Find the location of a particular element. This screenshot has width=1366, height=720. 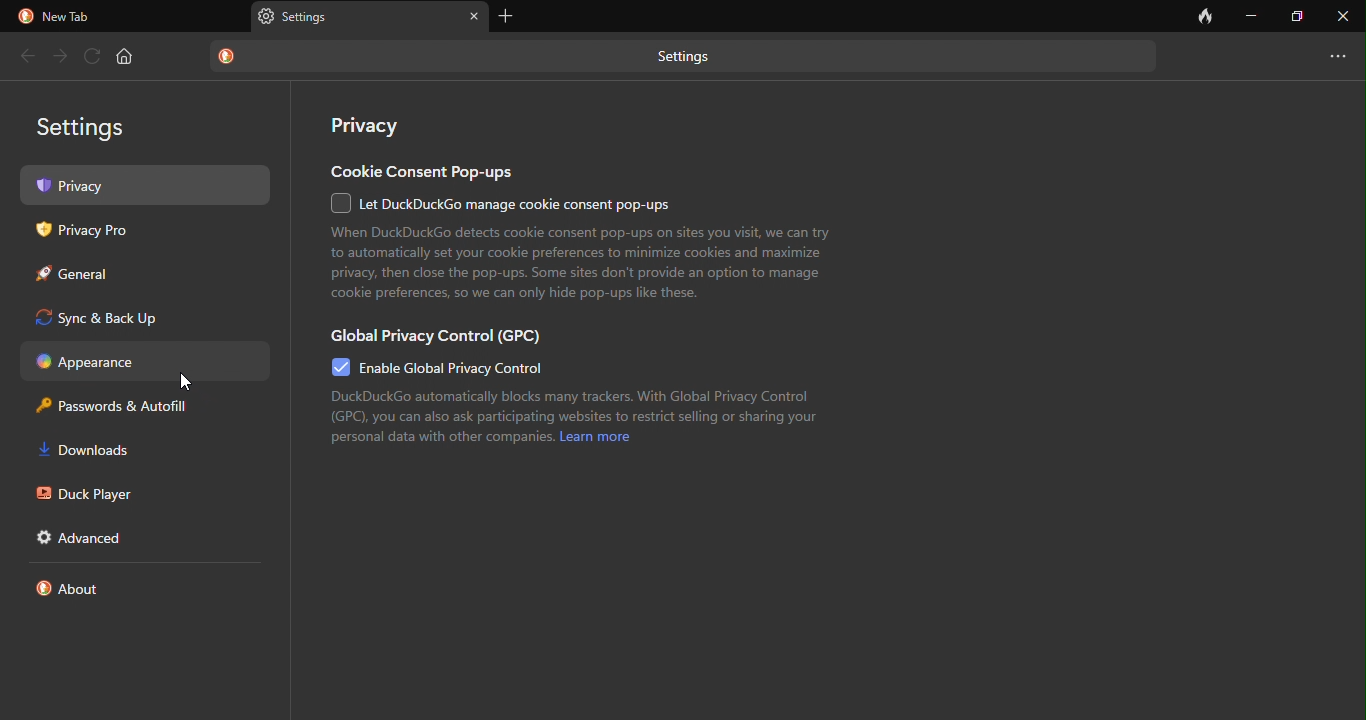

settings is located at coordinates (690, 58).